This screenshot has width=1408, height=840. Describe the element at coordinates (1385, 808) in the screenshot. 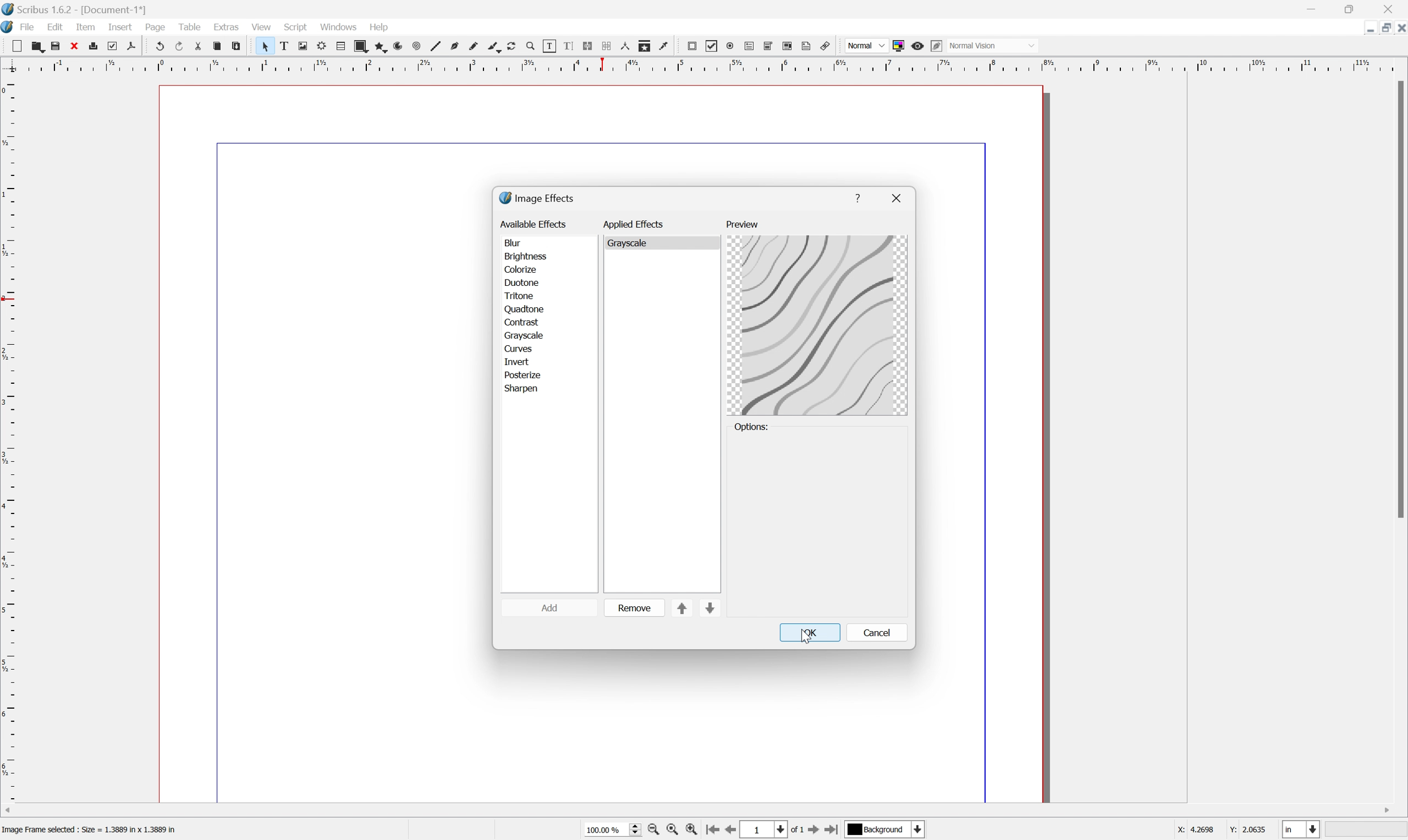

I see `Scroll right` at that location.